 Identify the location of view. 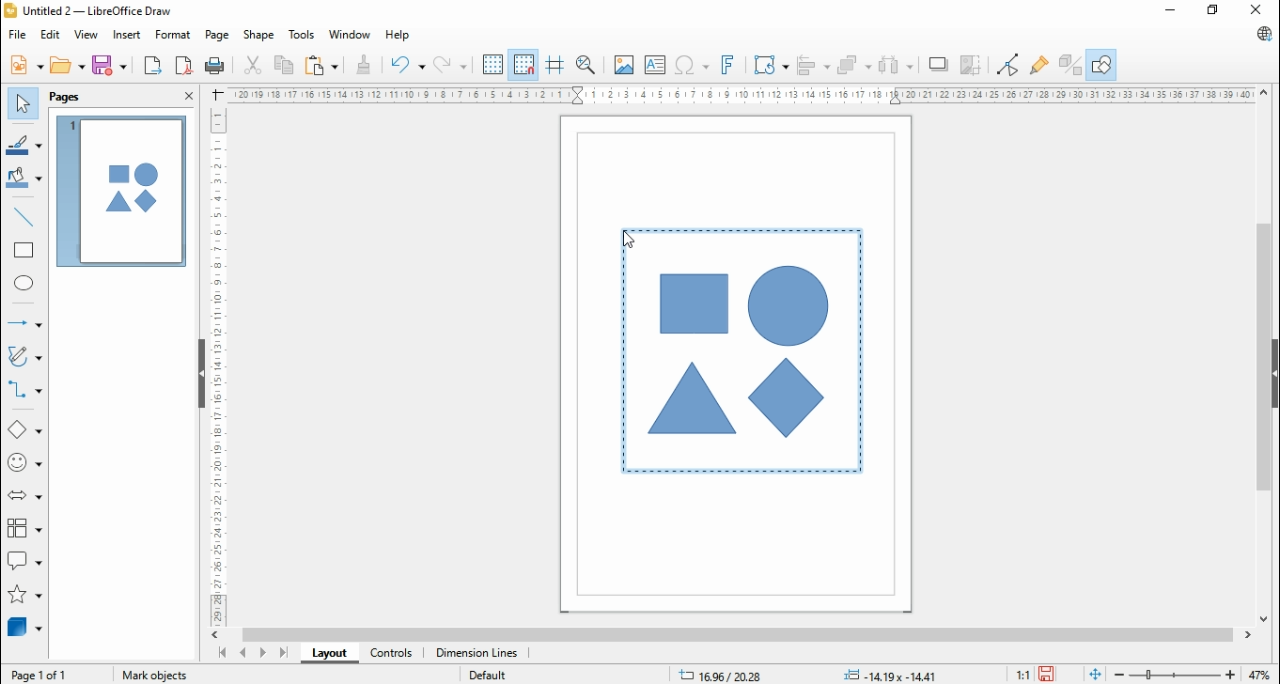
(87, 35).